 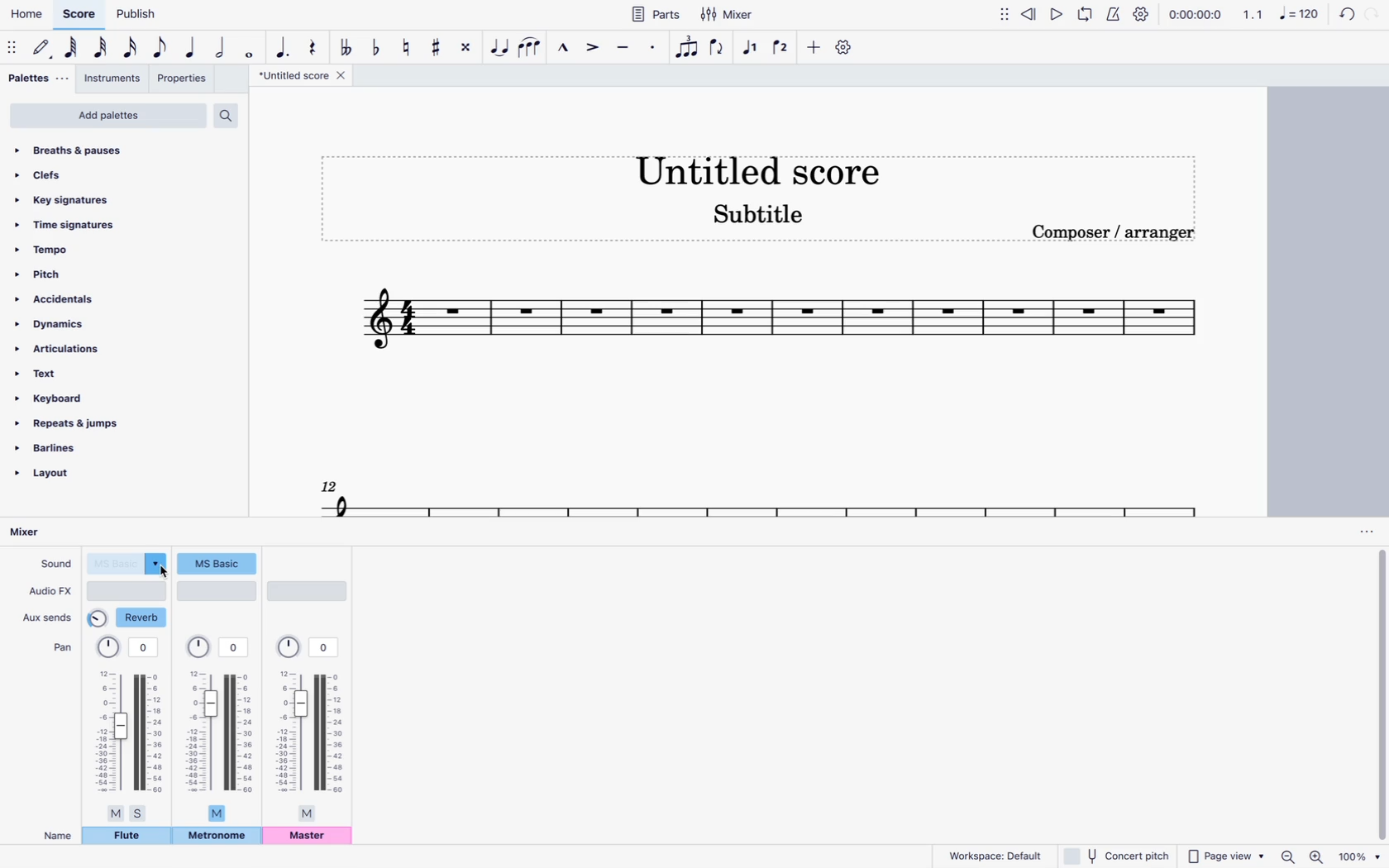 What do you see at coordinates (217, 837) in the screenshot?
I see `metronome` at bounding box center [217, 837].